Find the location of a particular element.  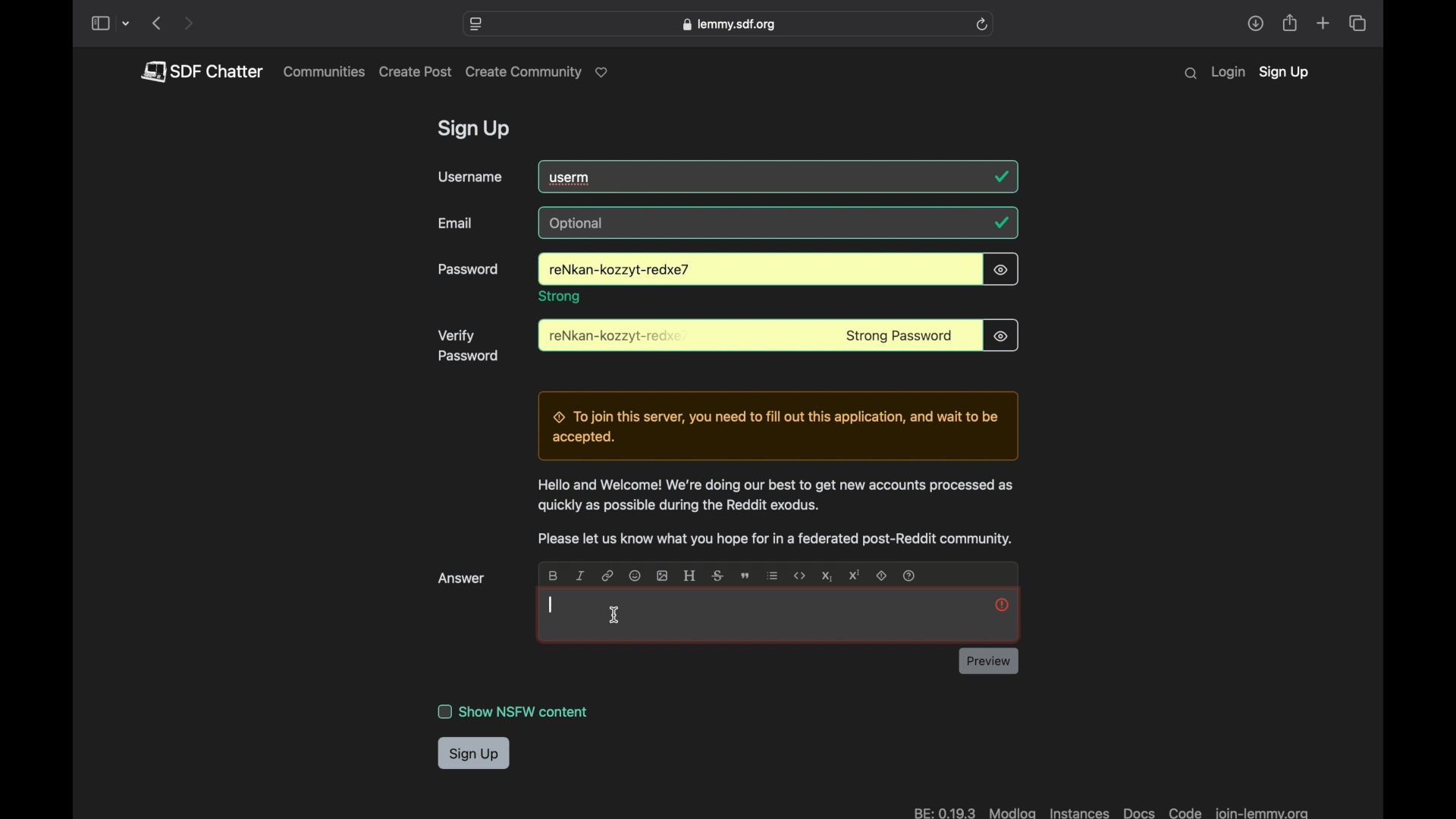

strikethrough is located at coordinates (716, 576).